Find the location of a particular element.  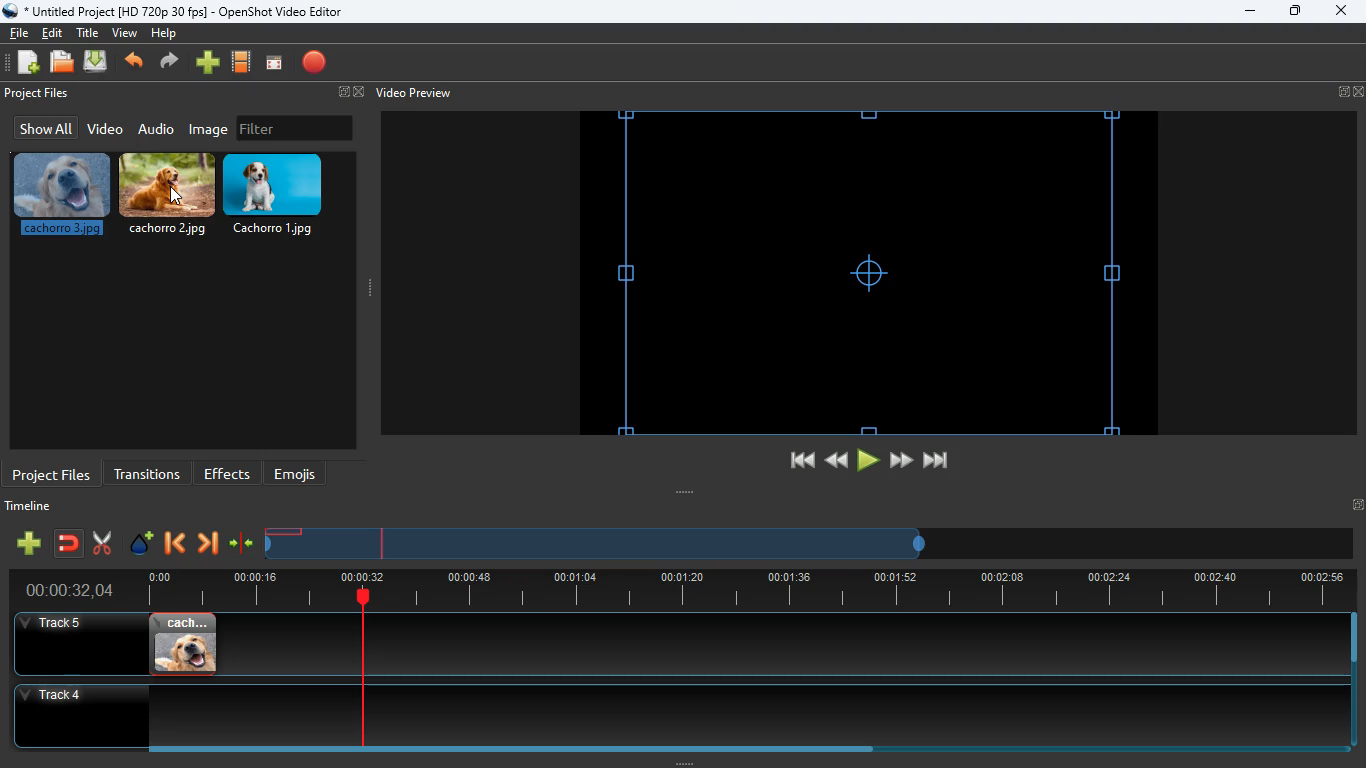

back is located at coordinates (136, 63).